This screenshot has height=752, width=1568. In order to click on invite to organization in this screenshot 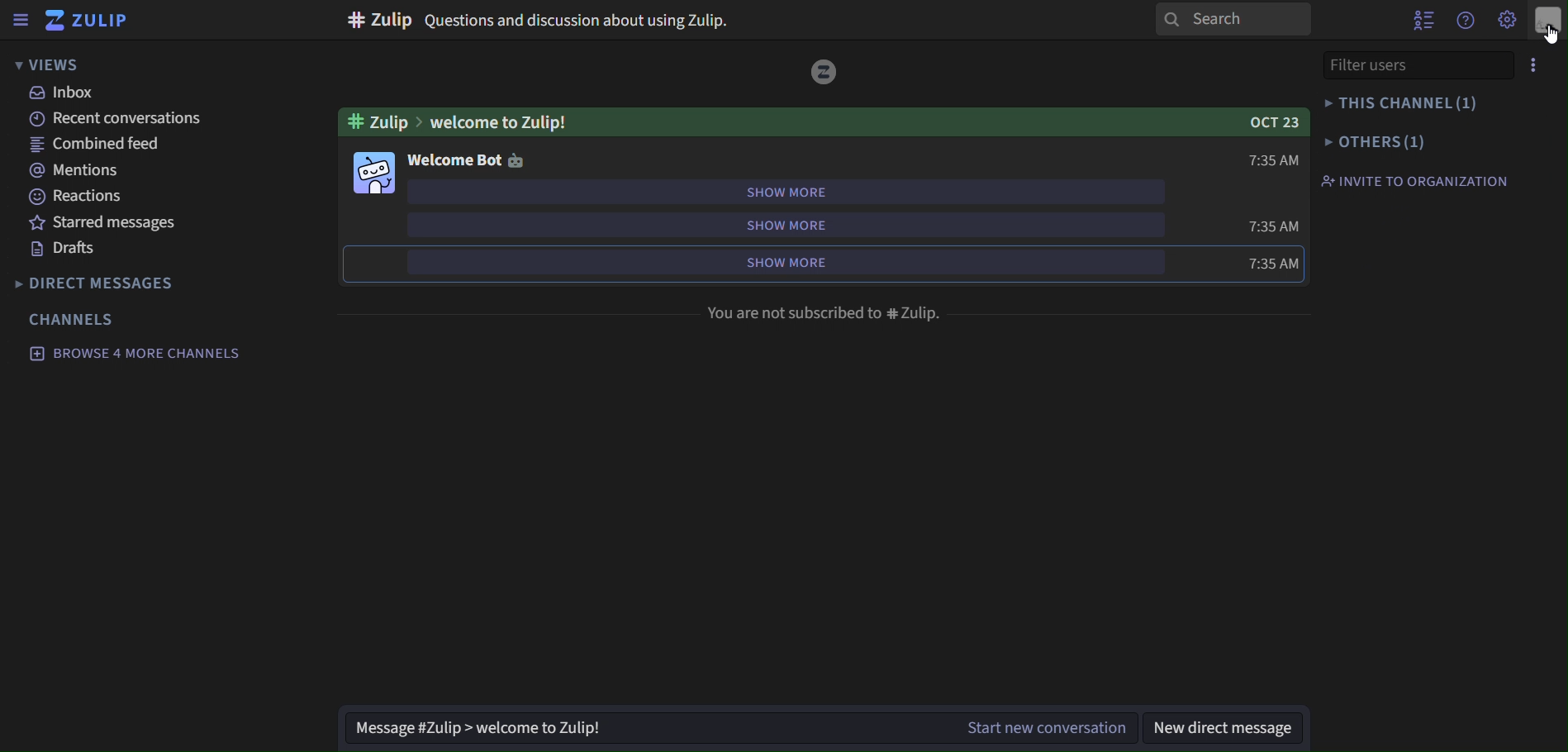, I will do `click(1423, 179)`.